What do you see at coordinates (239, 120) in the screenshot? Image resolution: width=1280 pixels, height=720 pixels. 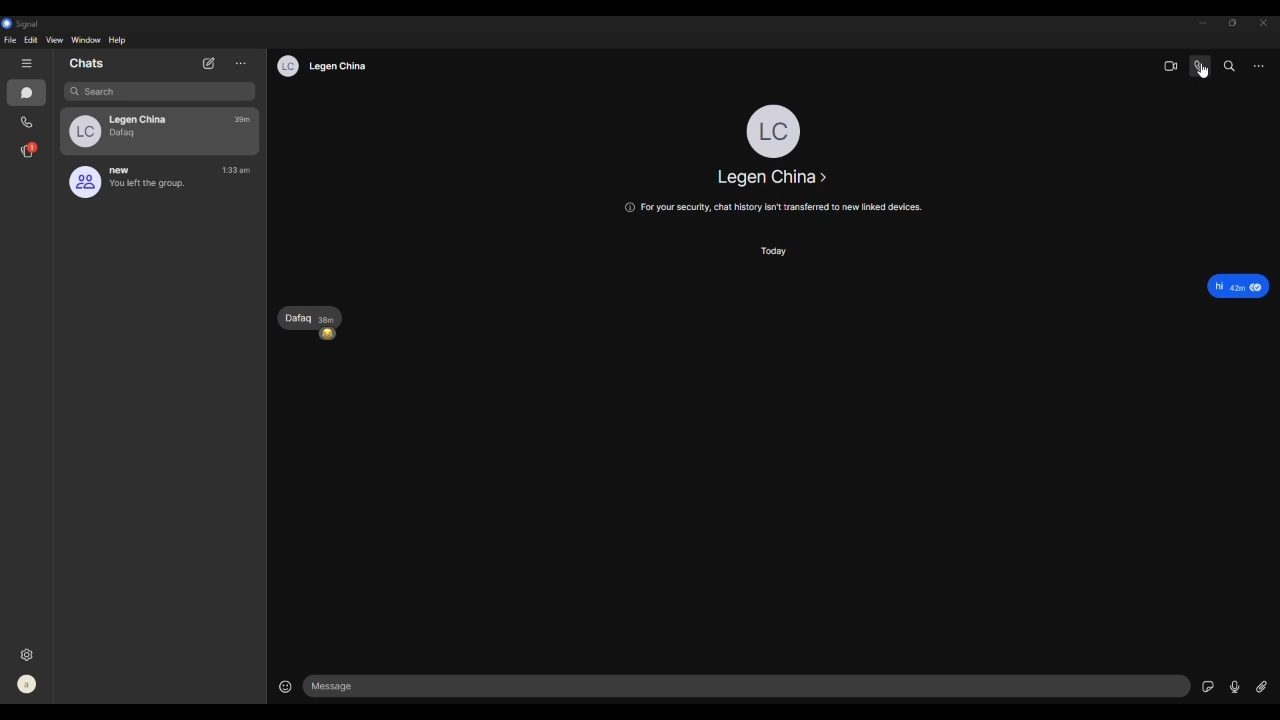 I see `33m` at bounding box center [239, 120].